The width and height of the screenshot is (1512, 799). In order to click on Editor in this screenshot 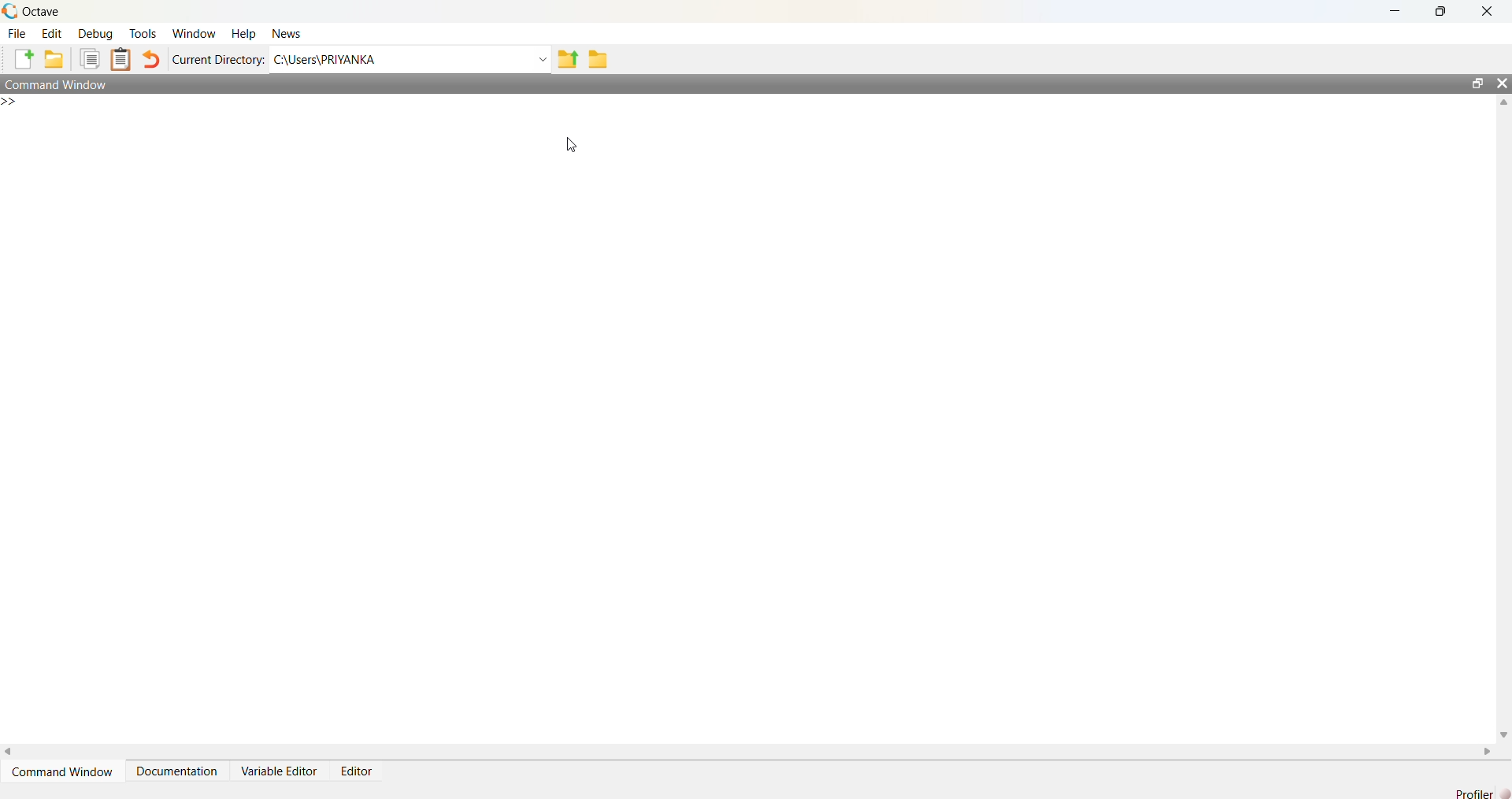, I will do `click(360, 767)`.